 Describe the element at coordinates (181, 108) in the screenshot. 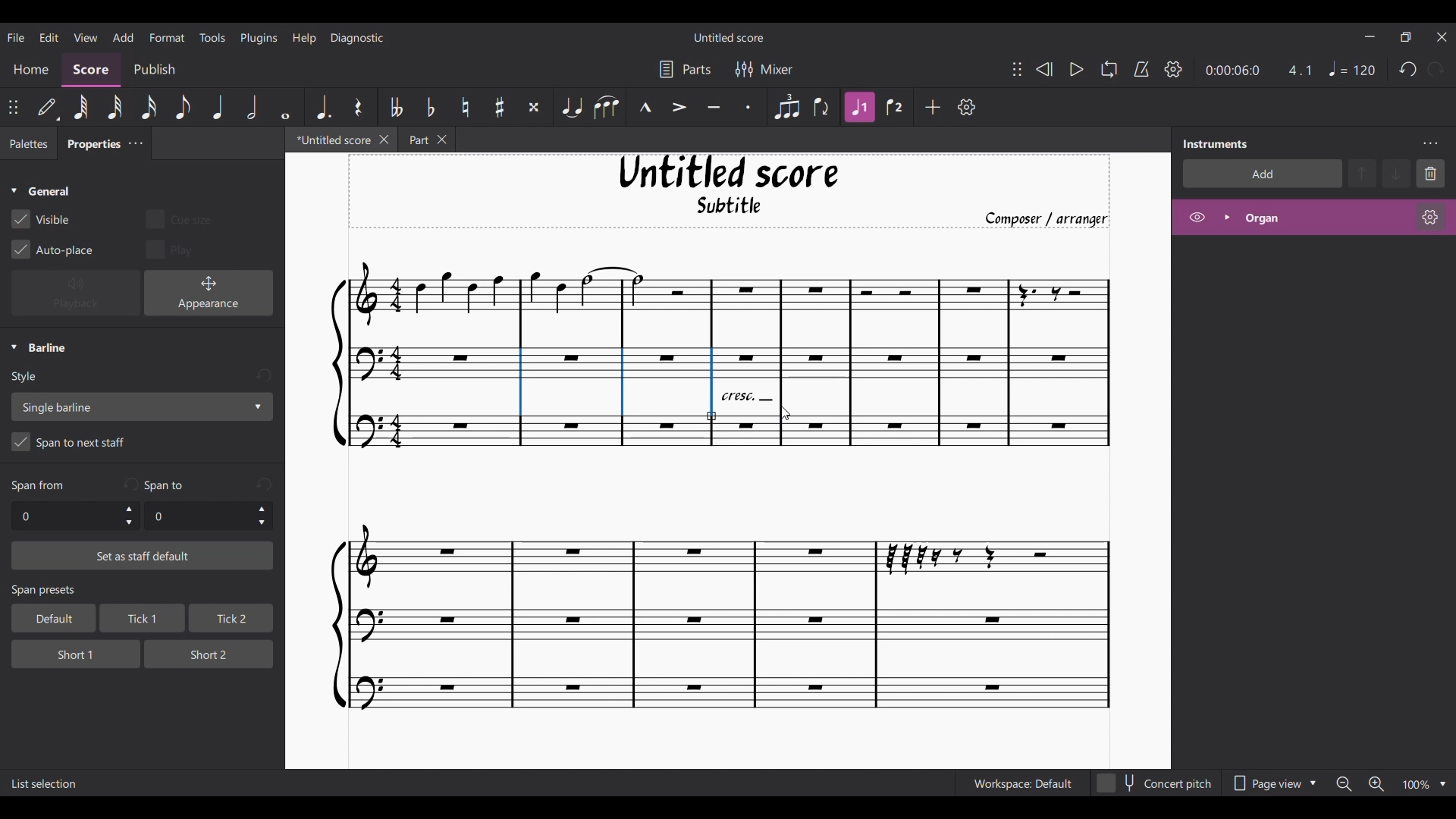

I see `8th note` at that location.